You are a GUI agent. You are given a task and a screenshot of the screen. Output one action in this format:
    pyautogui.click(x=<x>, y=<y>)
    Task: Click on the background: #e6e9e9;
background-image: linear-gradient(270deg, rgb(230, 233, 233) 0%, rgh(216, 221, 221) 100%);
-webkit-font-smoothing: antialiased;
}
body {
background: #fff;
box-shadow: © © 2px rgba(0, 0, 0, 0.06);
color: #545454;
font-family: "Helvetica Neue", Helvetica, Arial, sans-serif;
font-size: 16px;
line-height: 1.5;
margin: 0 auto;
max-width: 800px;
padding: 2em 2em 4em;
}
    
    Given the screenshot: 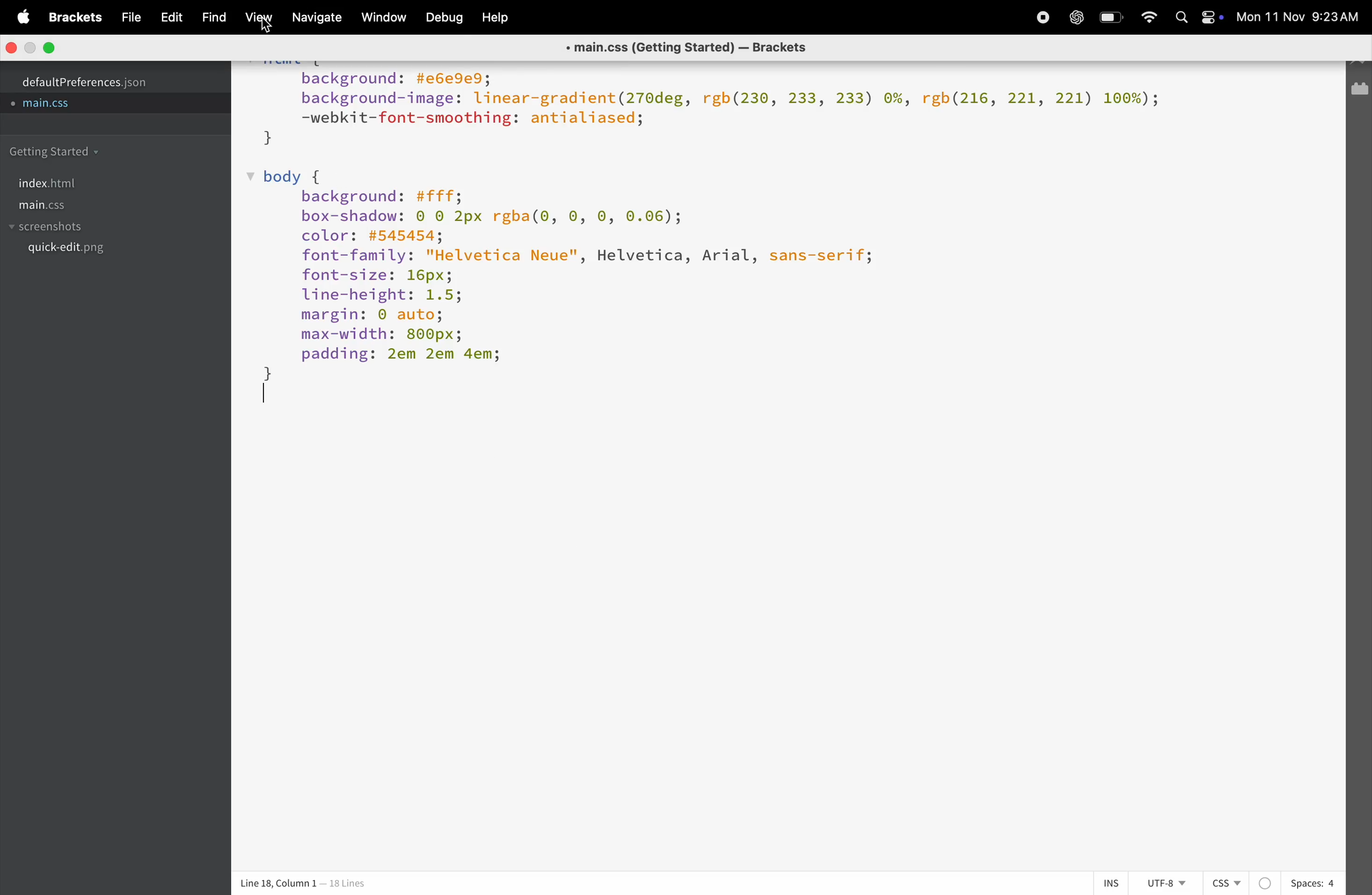 What is the action you would take?
    pyautogui.click(x=719, y=244)
    